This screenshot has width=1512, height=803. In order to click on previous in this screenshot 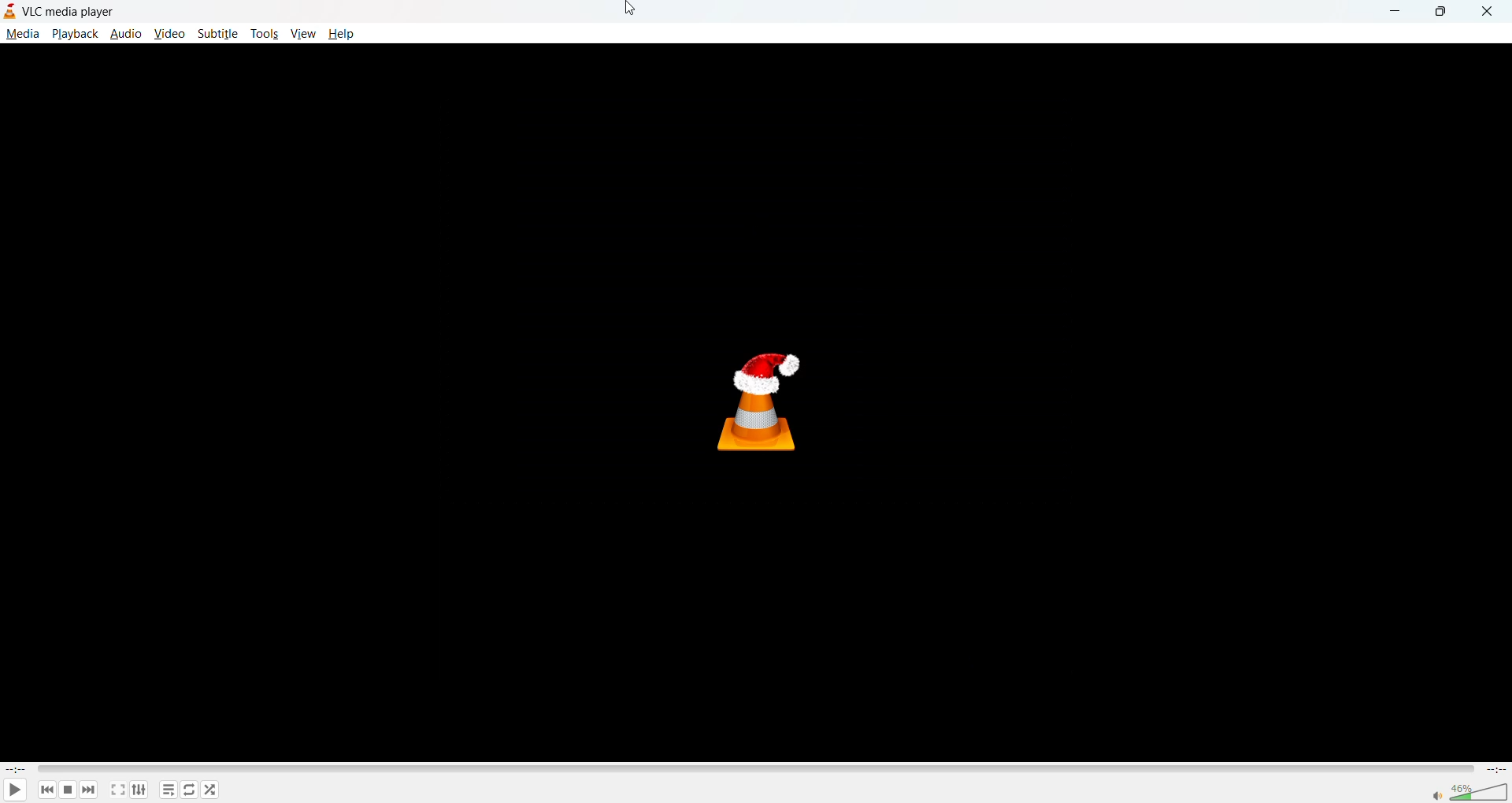, I will do `click(46, 790)`.